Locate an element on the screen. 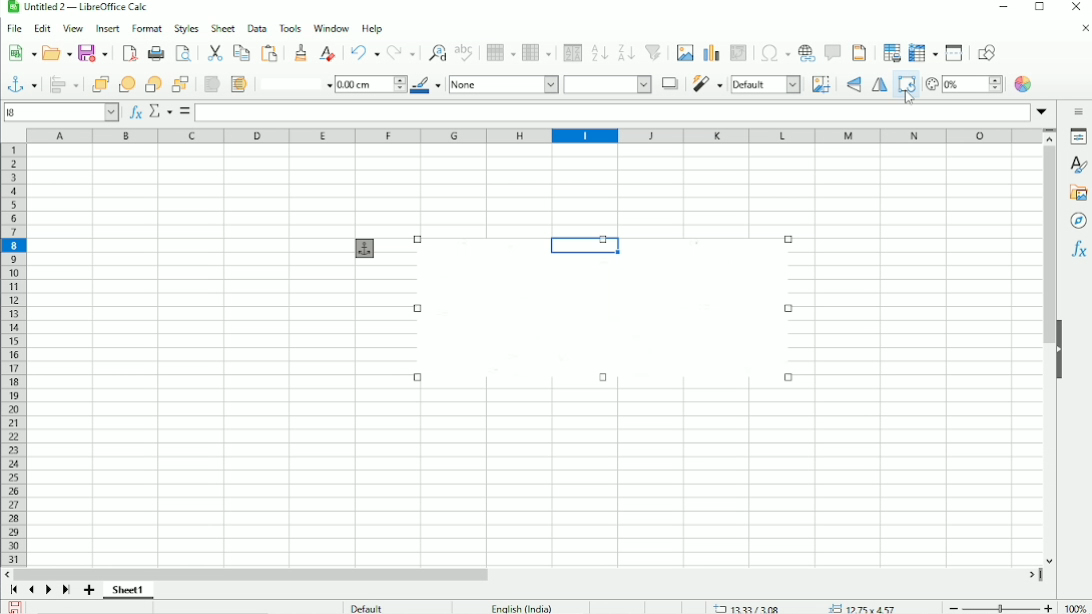 The height and width of the screenshot is (614, 1092). Freeze rows and columns is located at coordinates (923, 53).